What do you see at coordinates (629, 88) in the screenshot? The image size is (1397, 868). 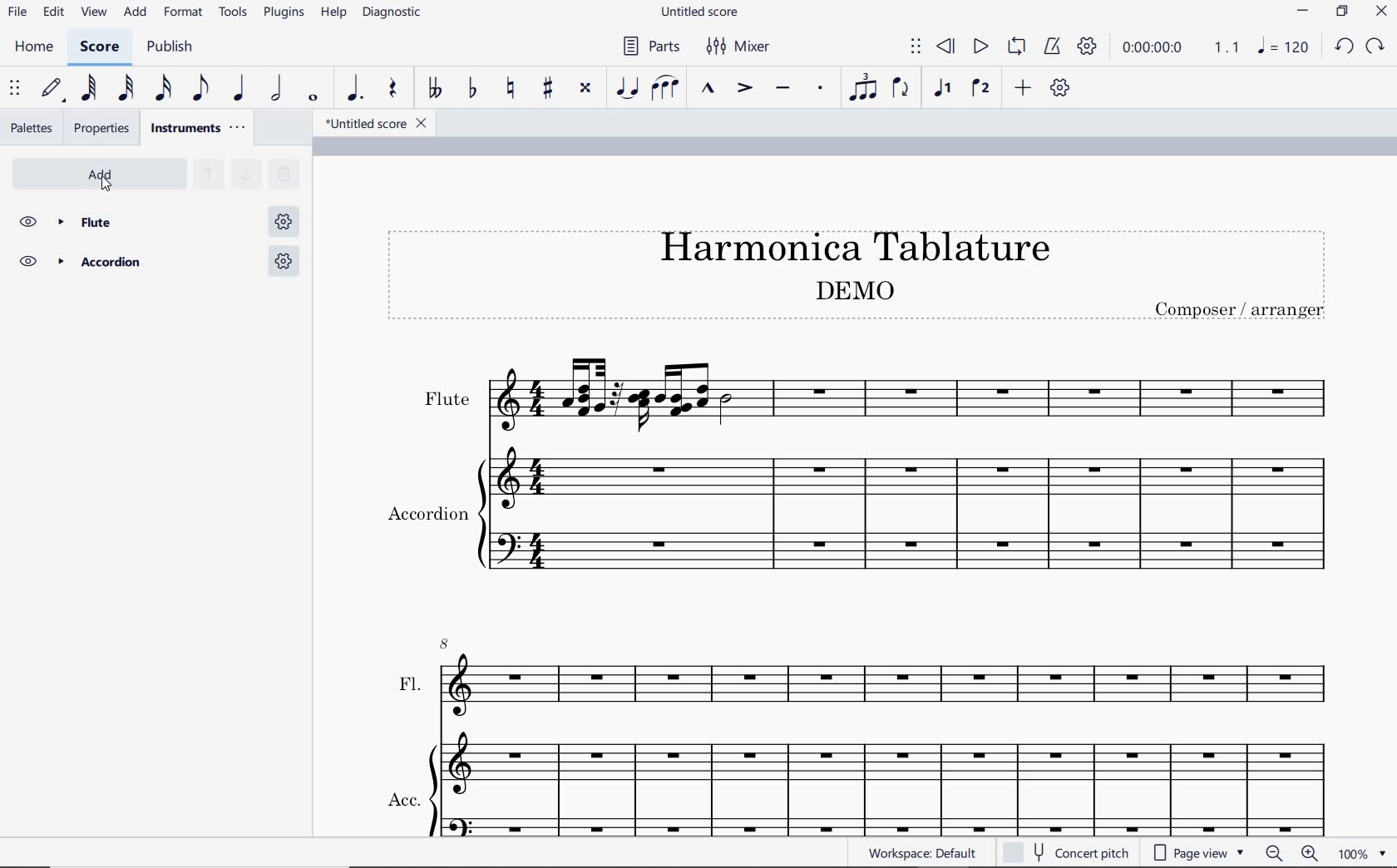 I see `tie` at bounding box center [629, 88].